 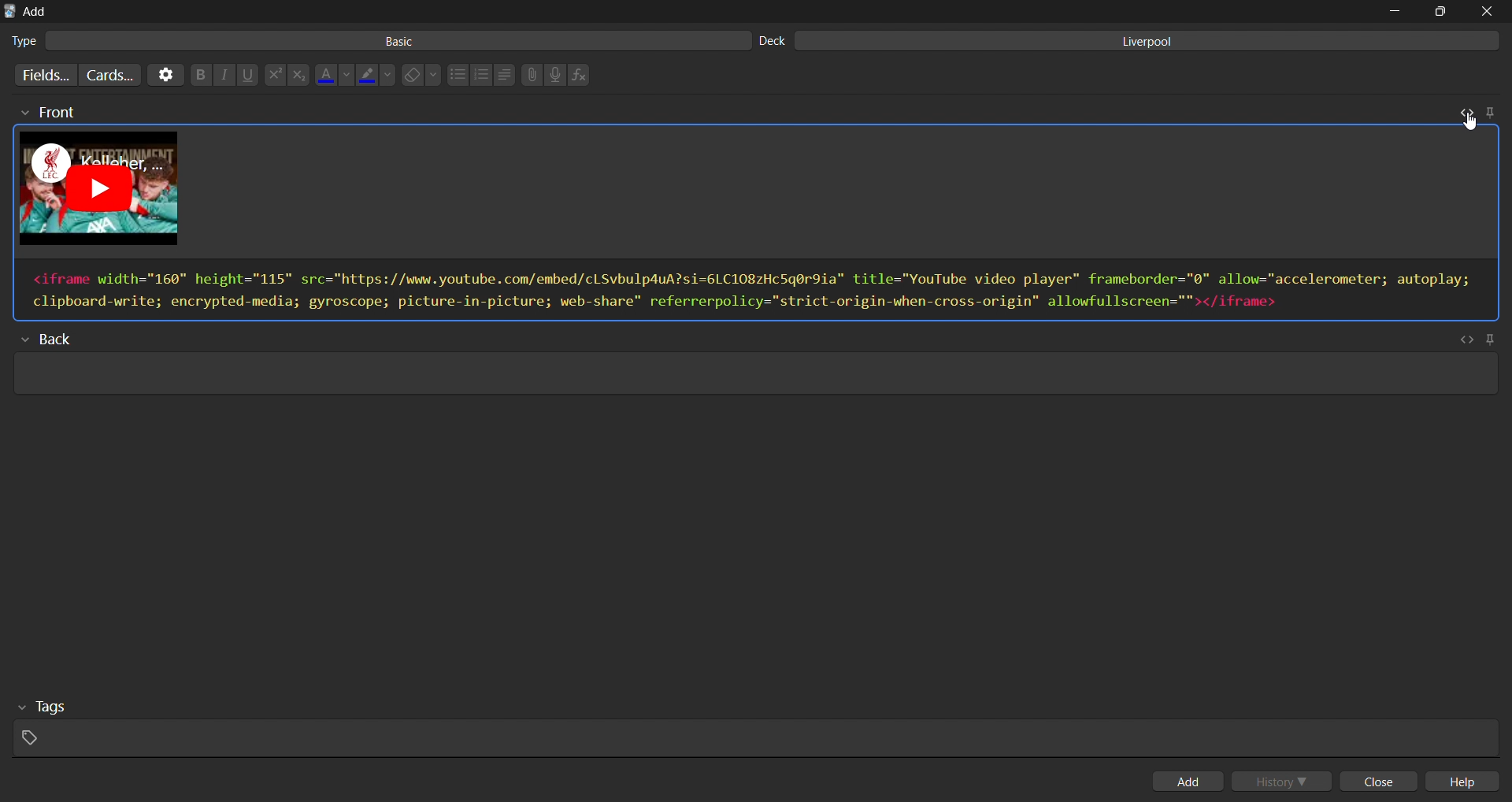 What do you see at coordinates (376, 41) in the screenshot?
I see `basic card type ` at bounding box center [376, 41].